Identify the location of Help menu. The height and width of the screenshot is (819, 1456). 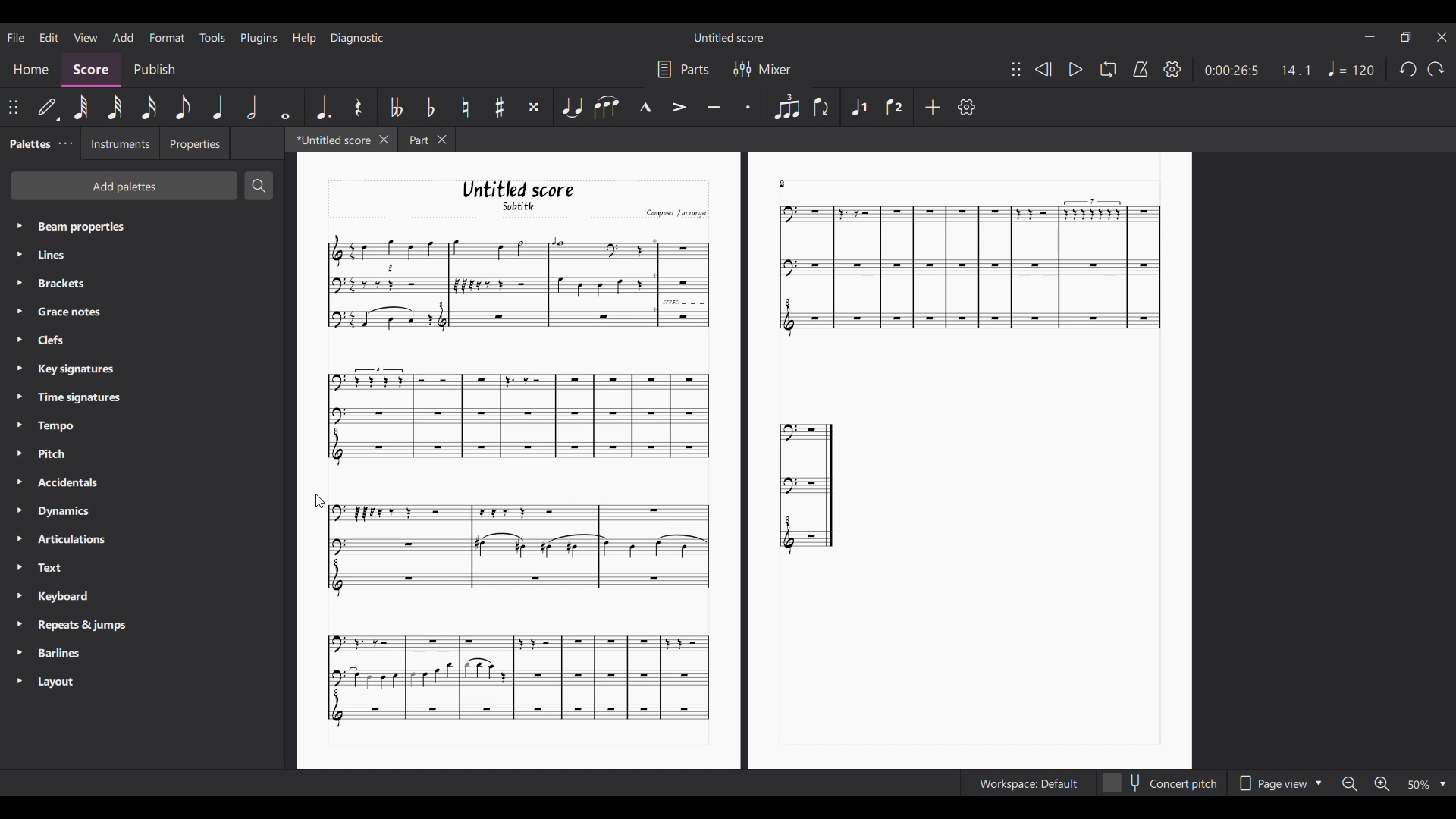
(304, 38).